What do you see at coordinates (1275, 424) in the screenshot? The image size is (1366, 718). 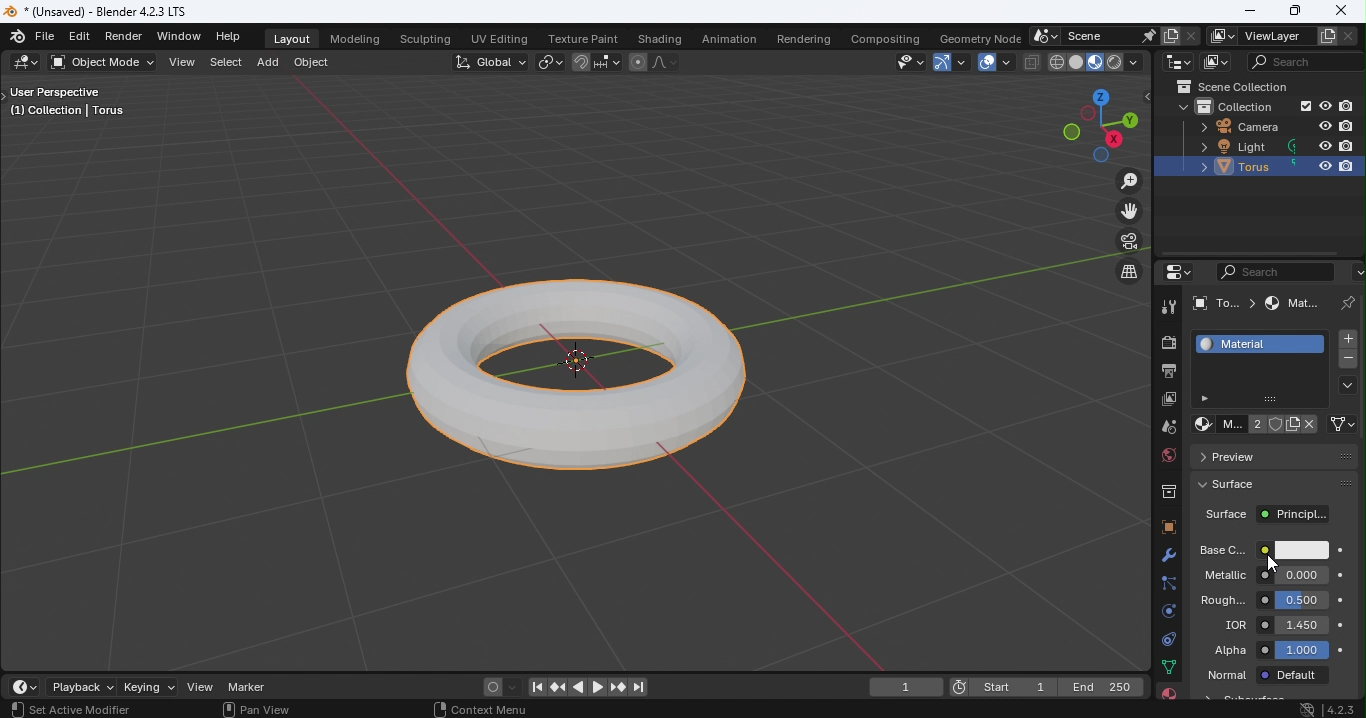 I see `Fake user` at bounding box center [1275, 424].